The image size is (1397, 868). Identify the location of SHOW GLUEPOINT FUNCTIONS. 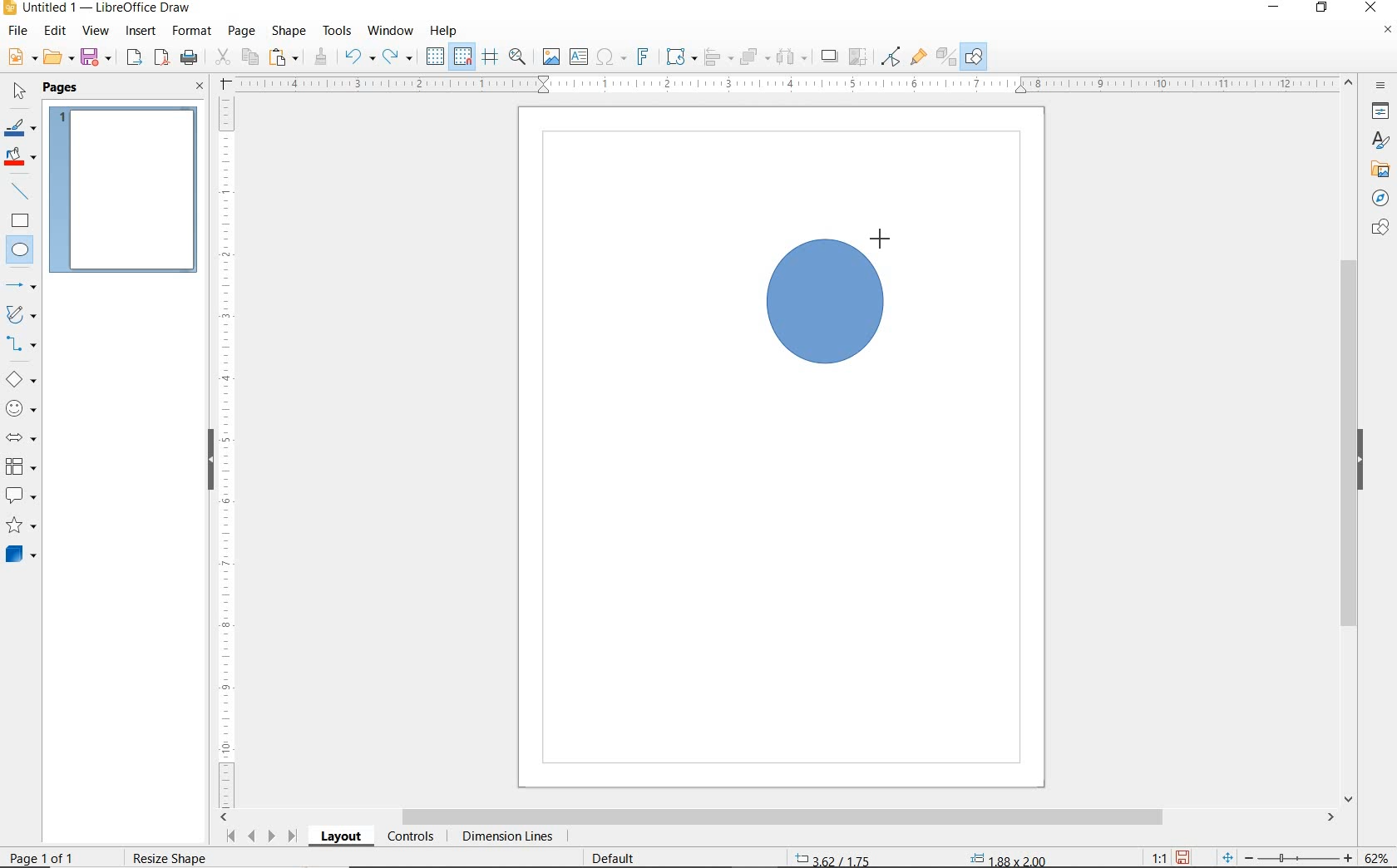
(918, 57).